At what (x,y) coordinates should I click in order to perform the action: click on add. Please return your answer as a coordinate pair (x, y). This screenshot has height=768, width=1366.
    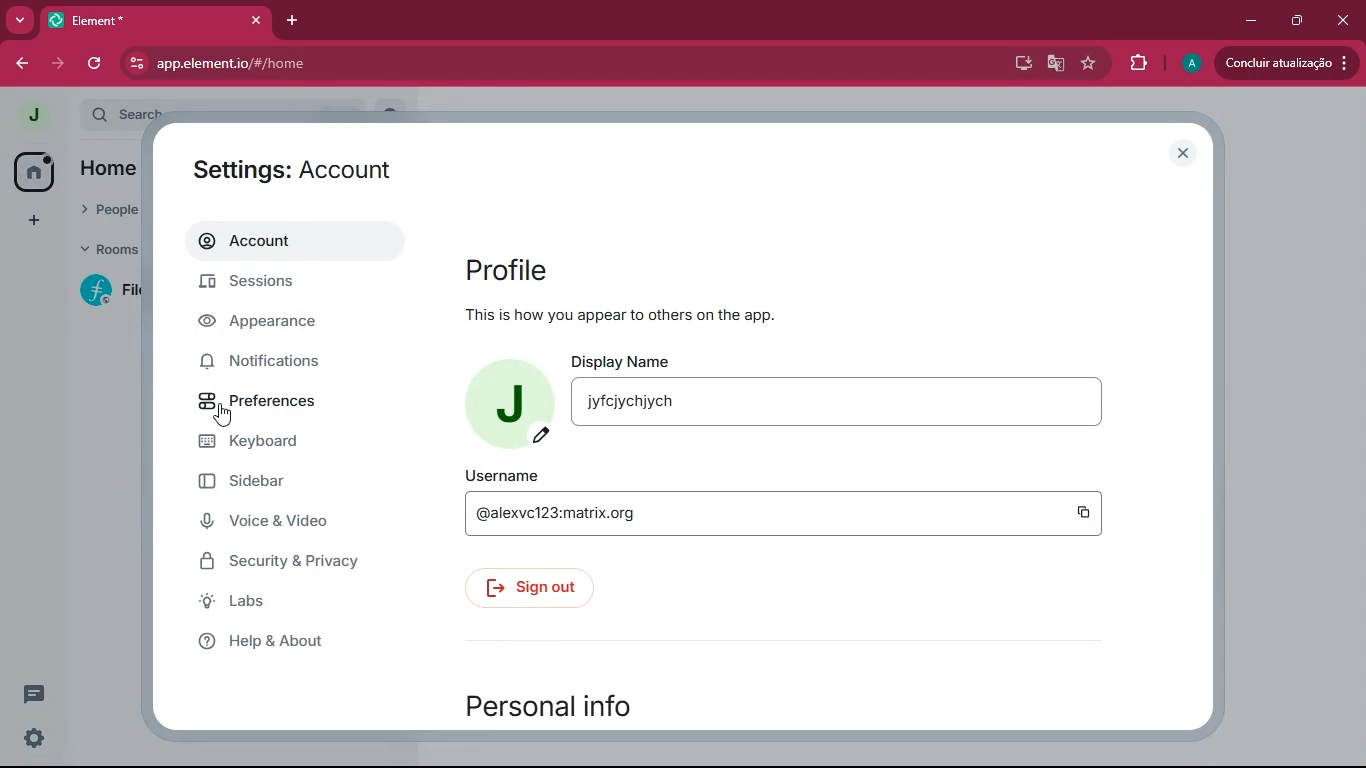
    Looking at the image, I should click on (31, 222).